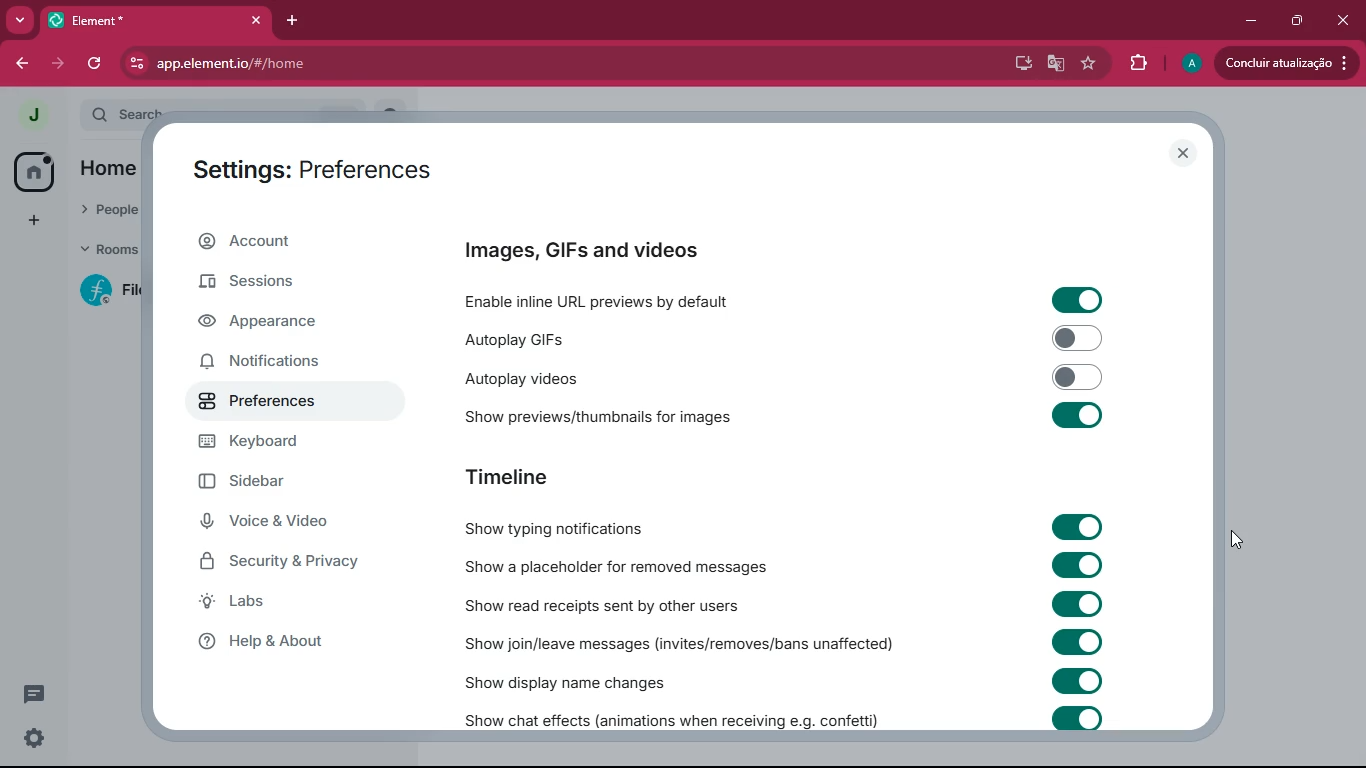 The image size is (1366, 768). Describe the element at coordinates (259, 363) in the screenshot. I see `notifications` at that location.